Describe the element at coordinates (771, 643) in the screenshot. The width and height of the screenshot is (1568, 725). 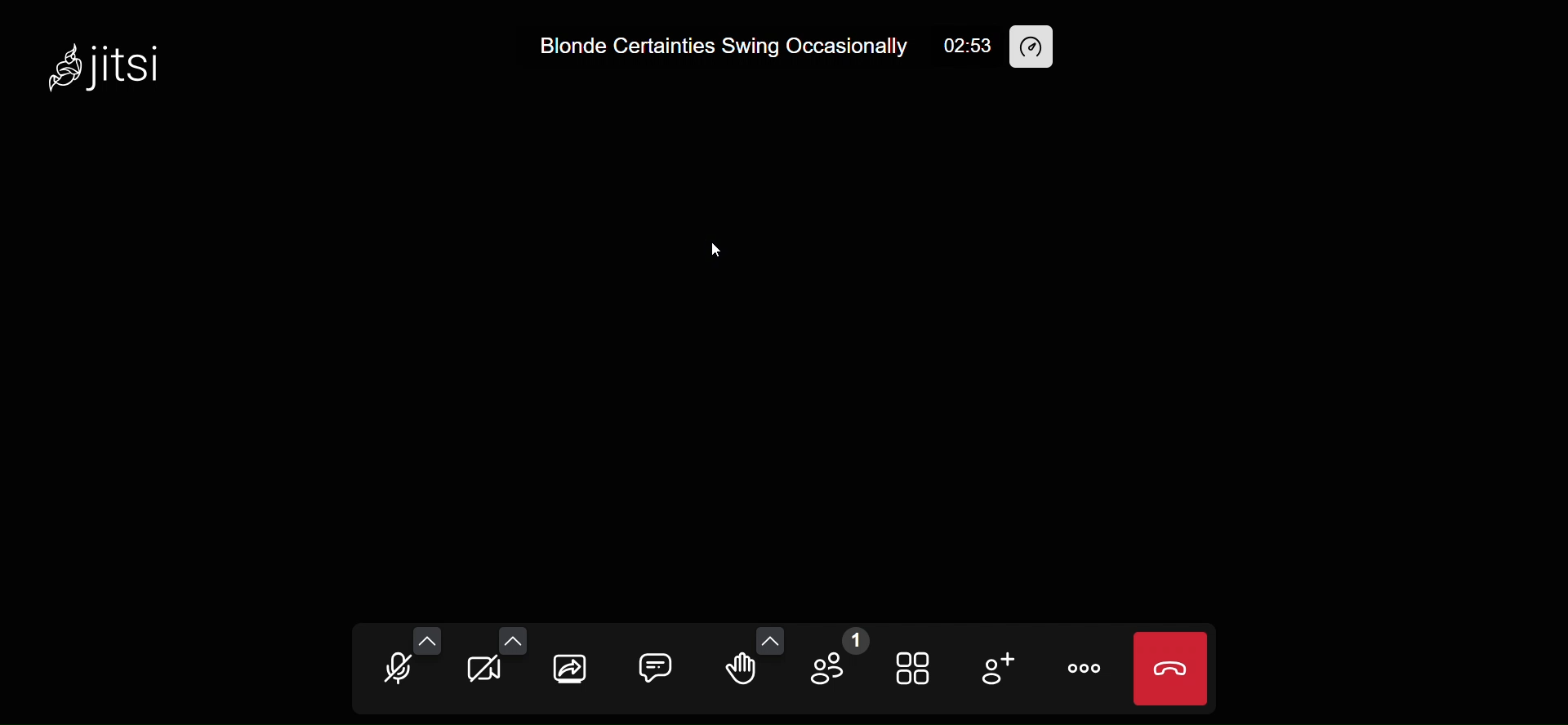
I see `more emoji` at that location.